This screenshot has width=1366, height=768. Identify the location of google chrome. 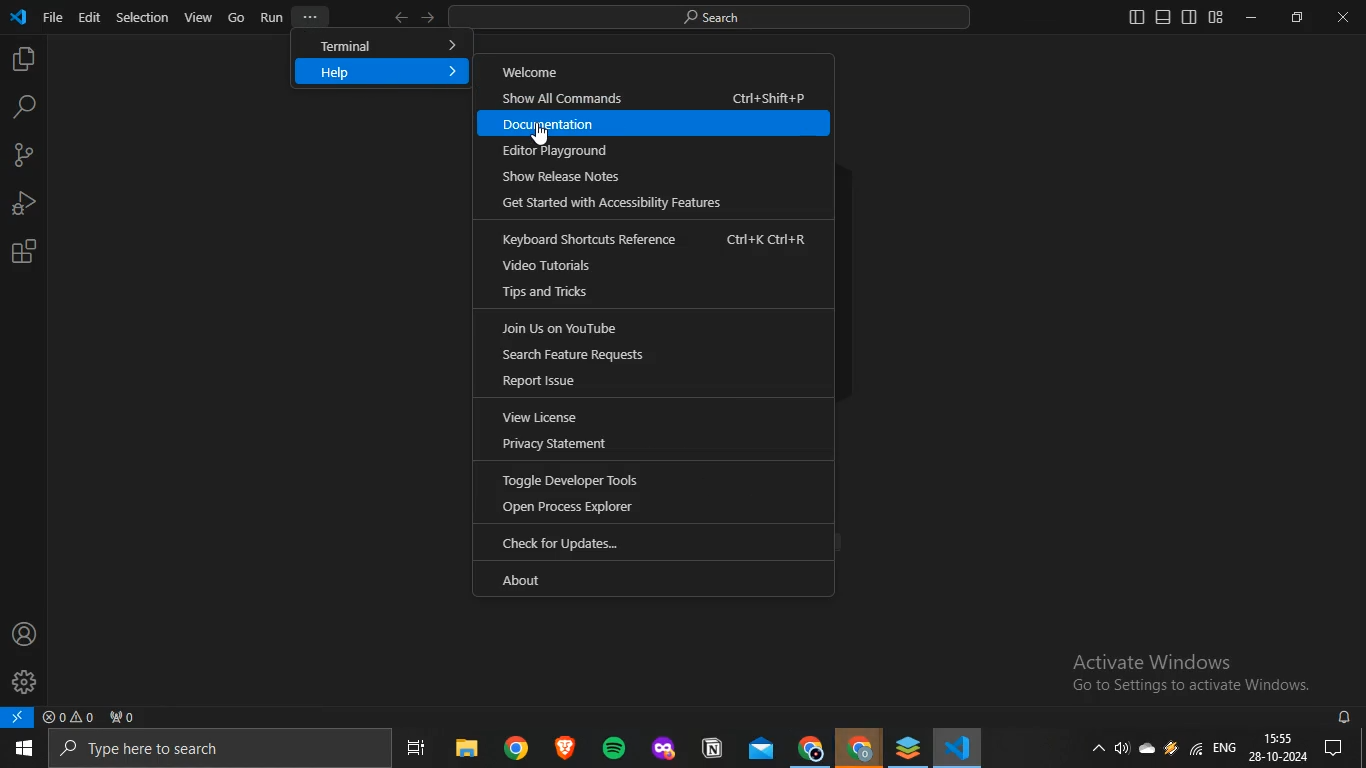
(810, 748).